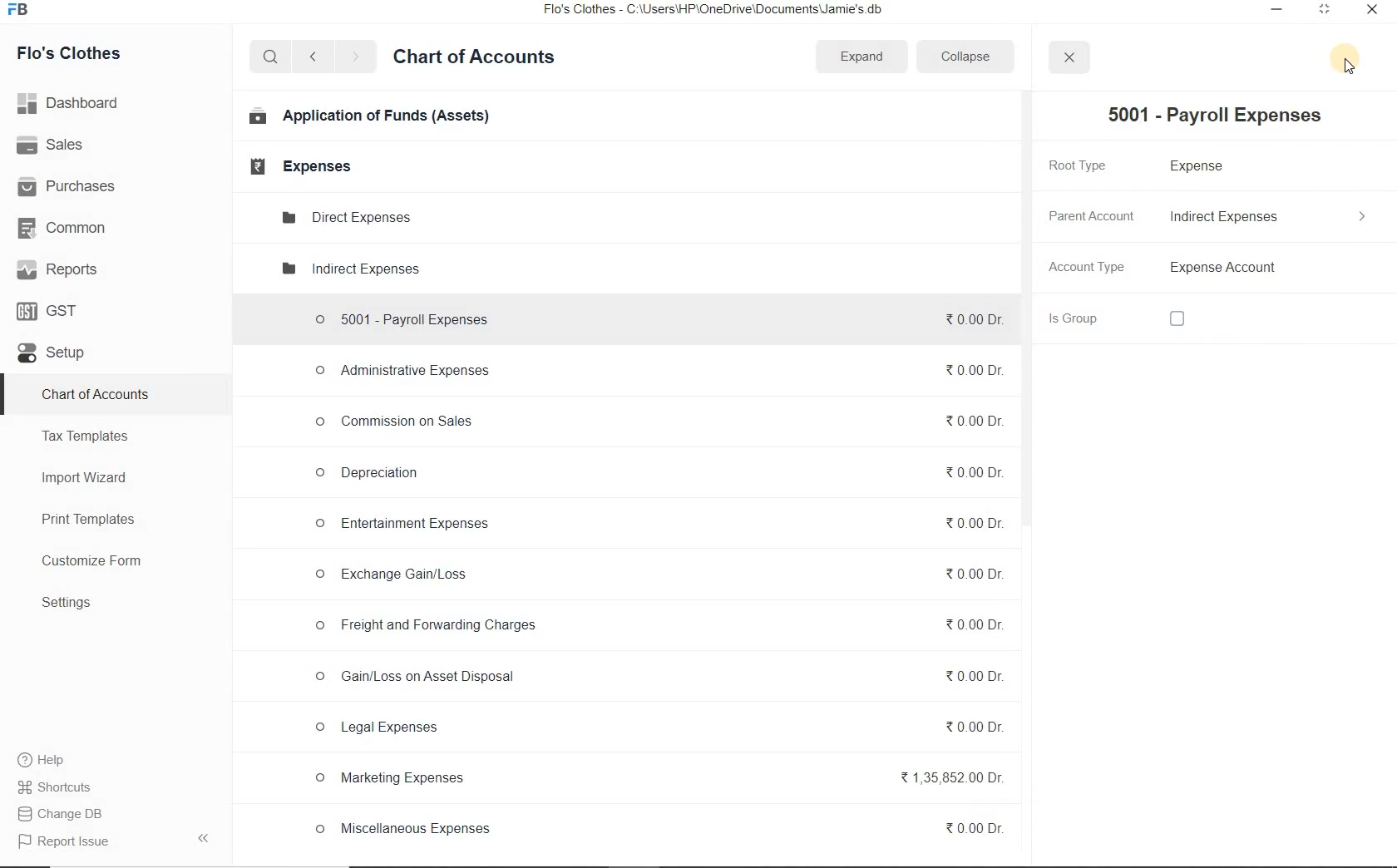 The image size is (1397, 868). What do you see at coordinates (656, 728) in the screenshot?
I see `© Legal Expenses 0.00 Dr.` at bounding box center [656, 728].